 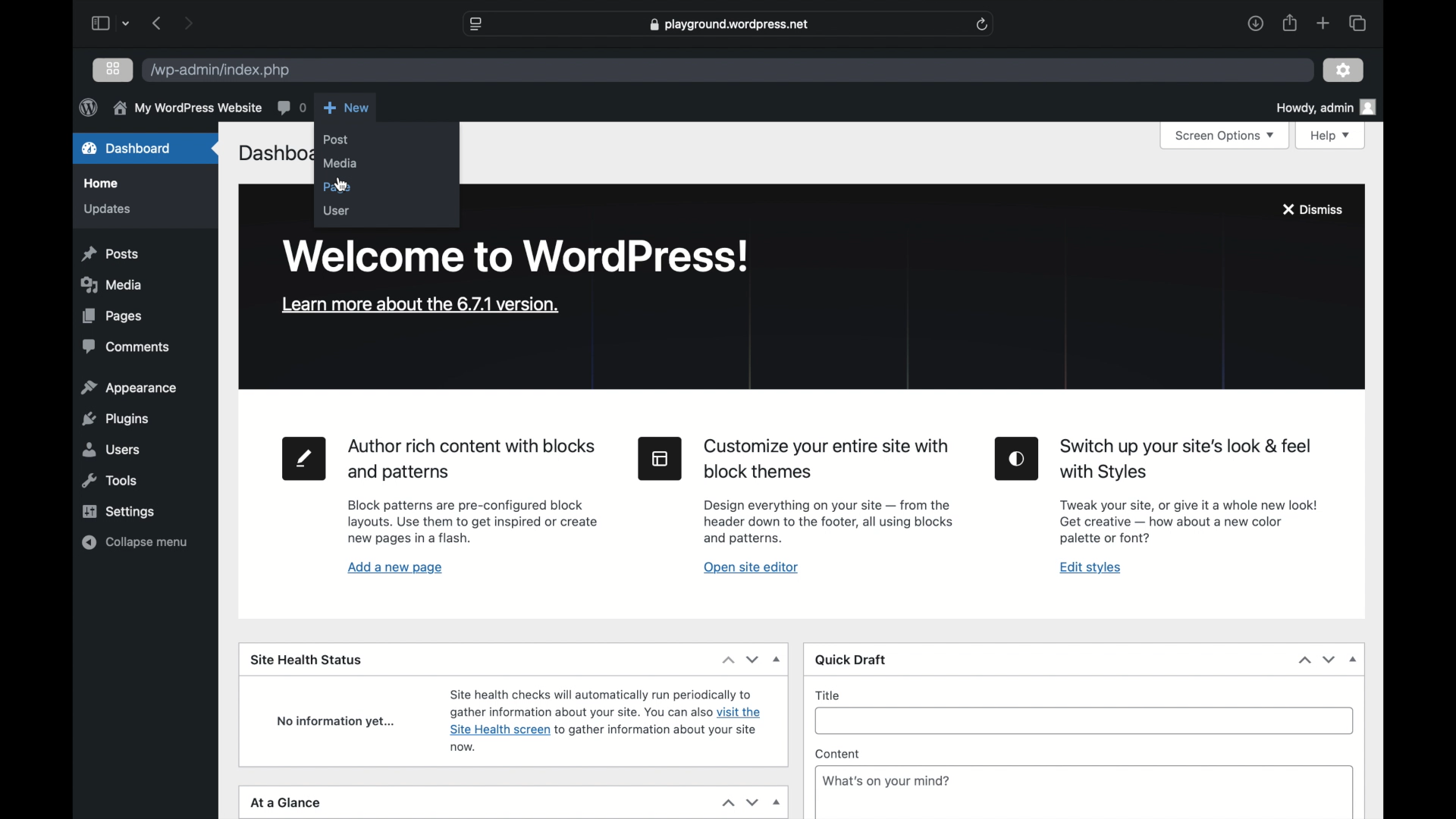 What do you see at coordinates (837, 755) in the screenshot?
I see `content` at bounding box center [837, 755].